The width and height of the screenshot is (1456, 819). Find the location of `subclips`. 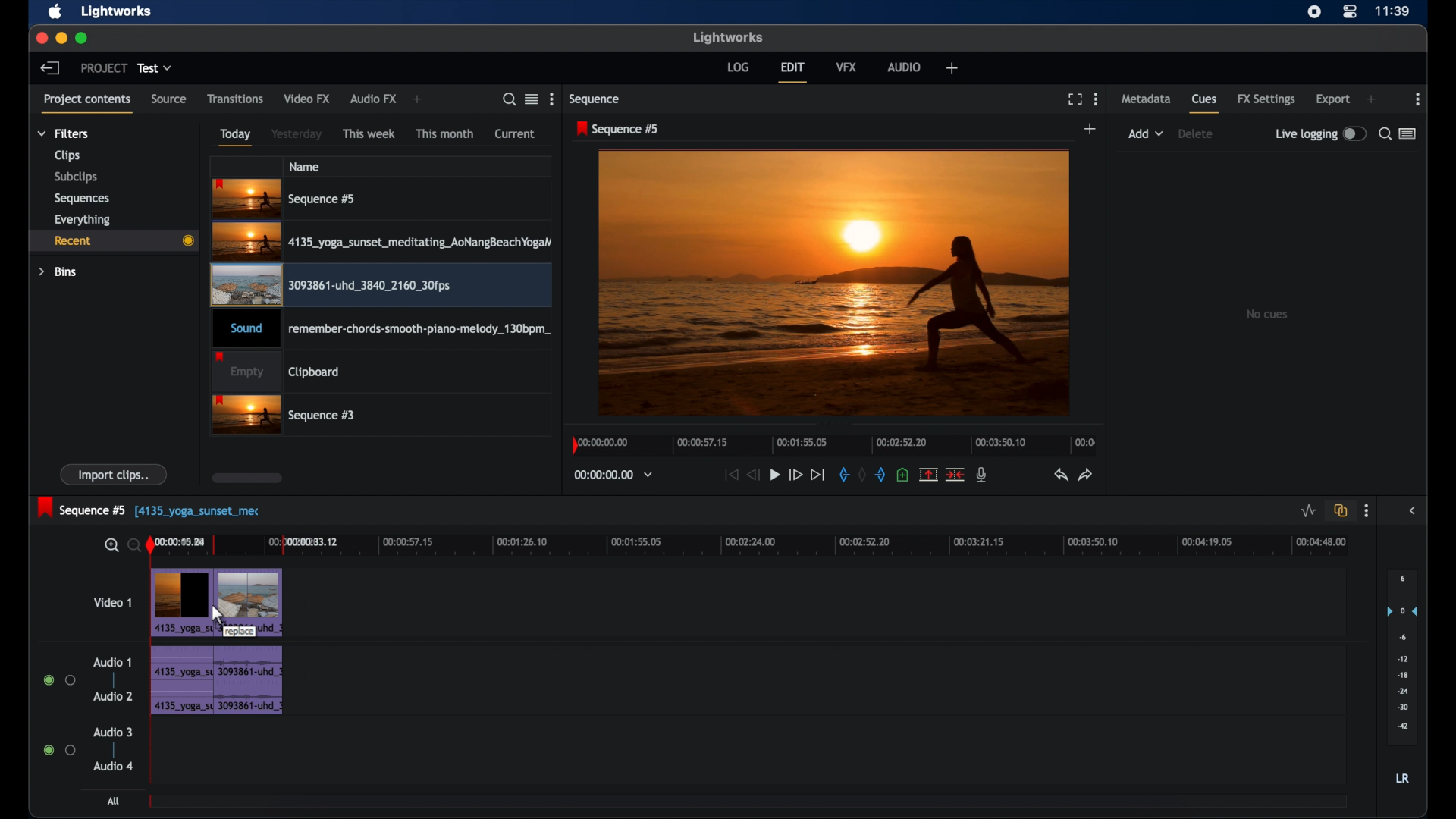

subclips is located at coordinates (77, 176).